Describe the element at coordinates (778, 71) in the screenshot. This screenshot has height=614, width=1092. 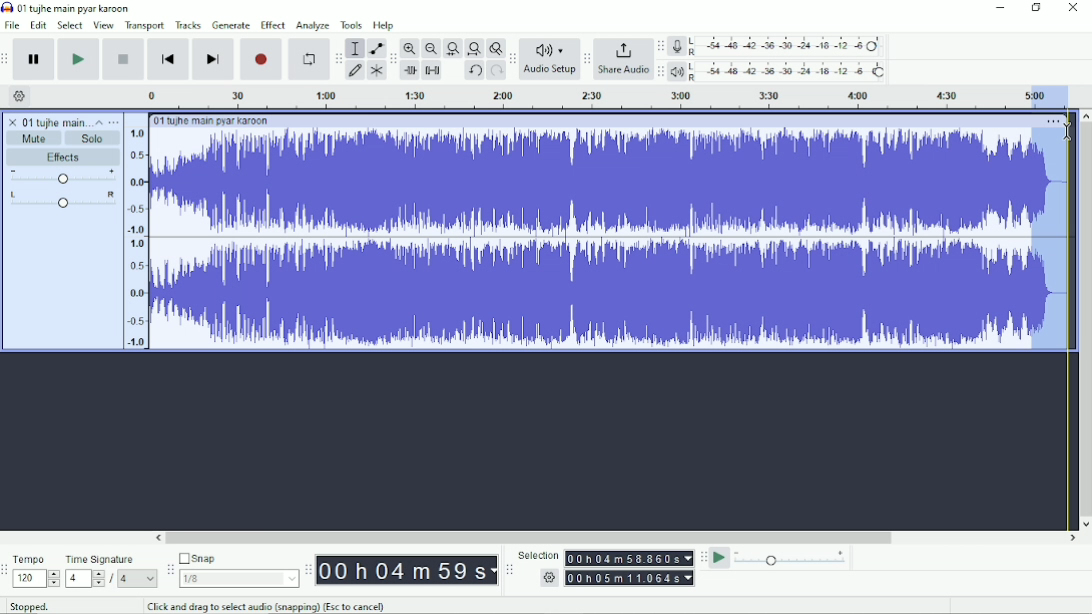
I see `Playback meter` at that location.